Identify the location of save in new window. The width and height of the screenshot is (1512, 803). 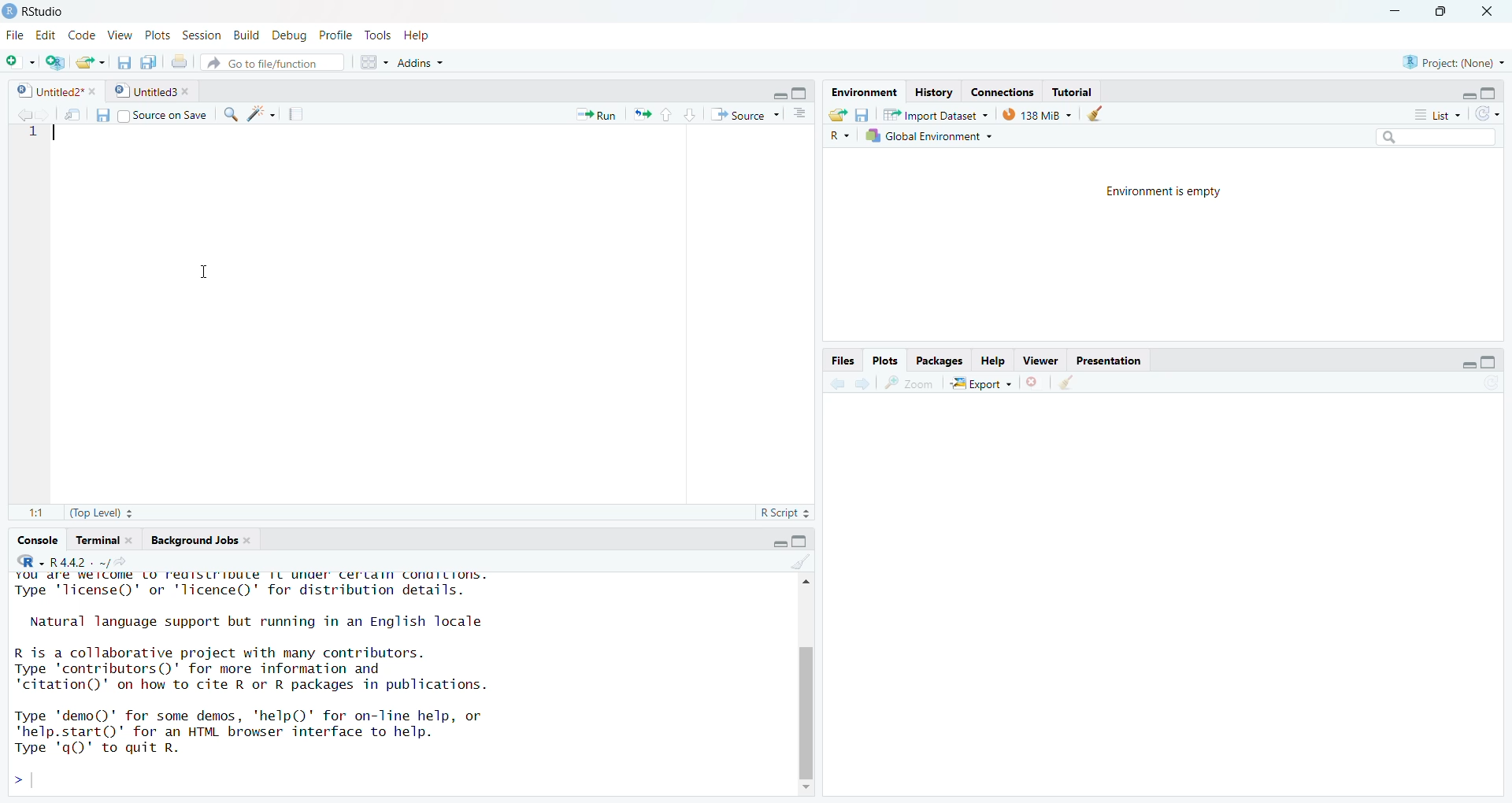
(67, 111).